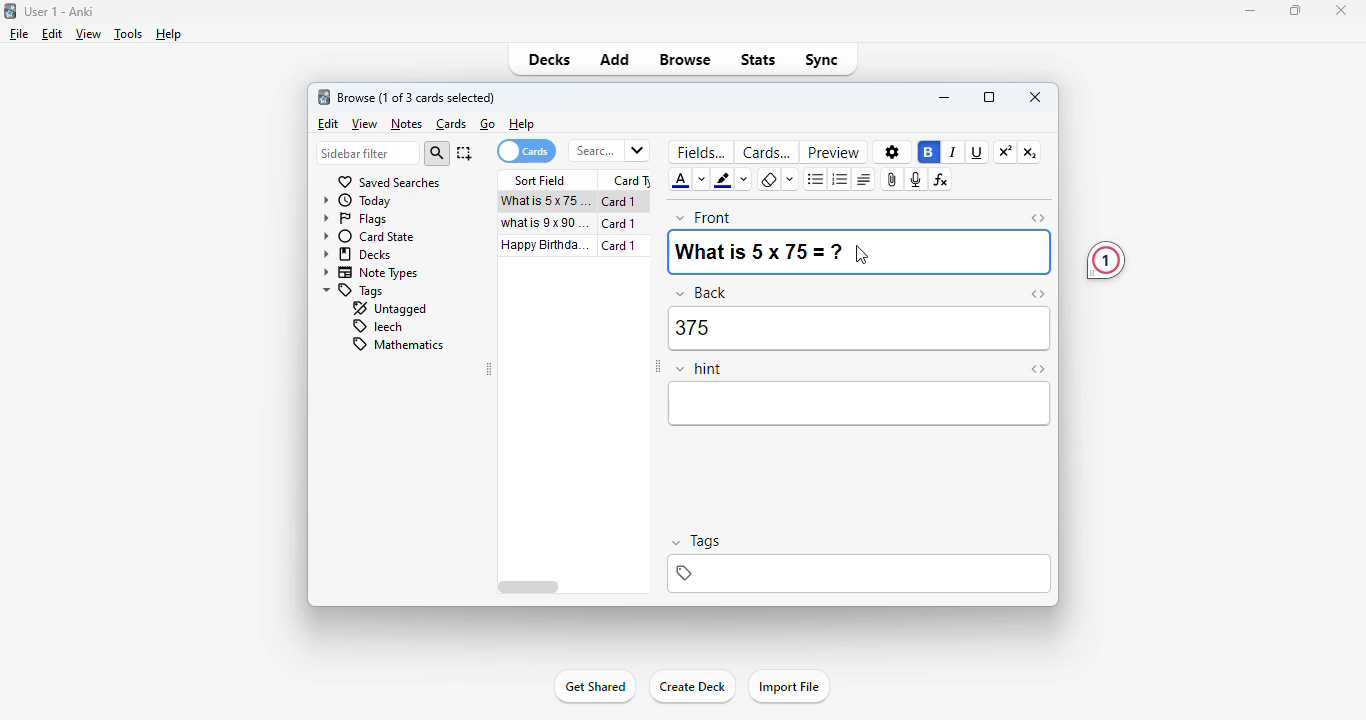  Describe the element at coordinates (365, 124) in the screenshot. I see `view` at that location.